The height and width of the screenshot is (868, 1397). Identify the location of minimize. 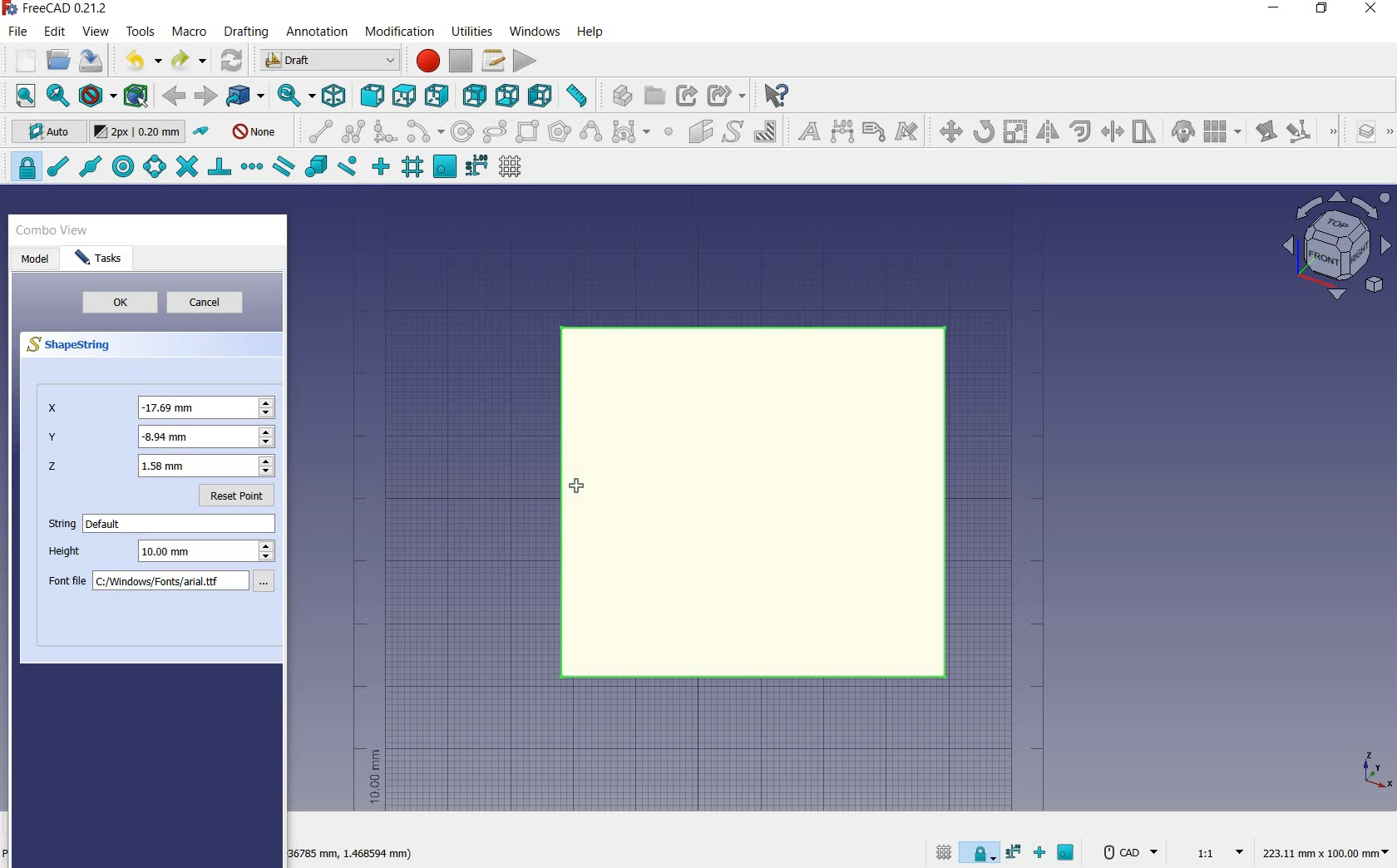
(1275, 10).